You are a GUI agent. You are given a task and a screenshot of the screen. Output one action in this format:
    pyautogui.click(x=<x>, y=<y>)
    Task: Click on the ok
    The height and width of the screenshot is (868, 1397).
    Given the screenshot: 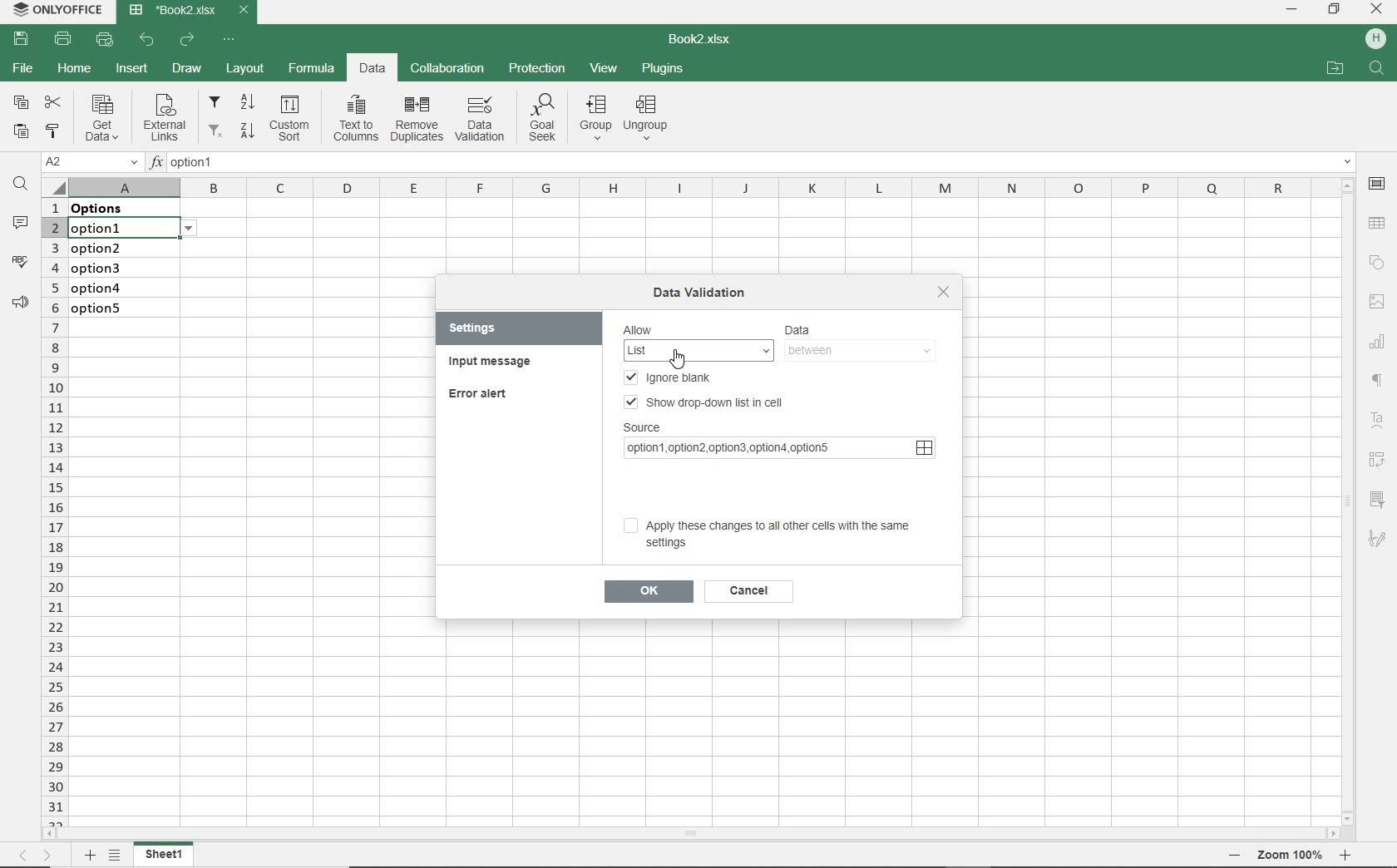 What is the action you would take?
    pyautogui.click(x=649, y=592)
    